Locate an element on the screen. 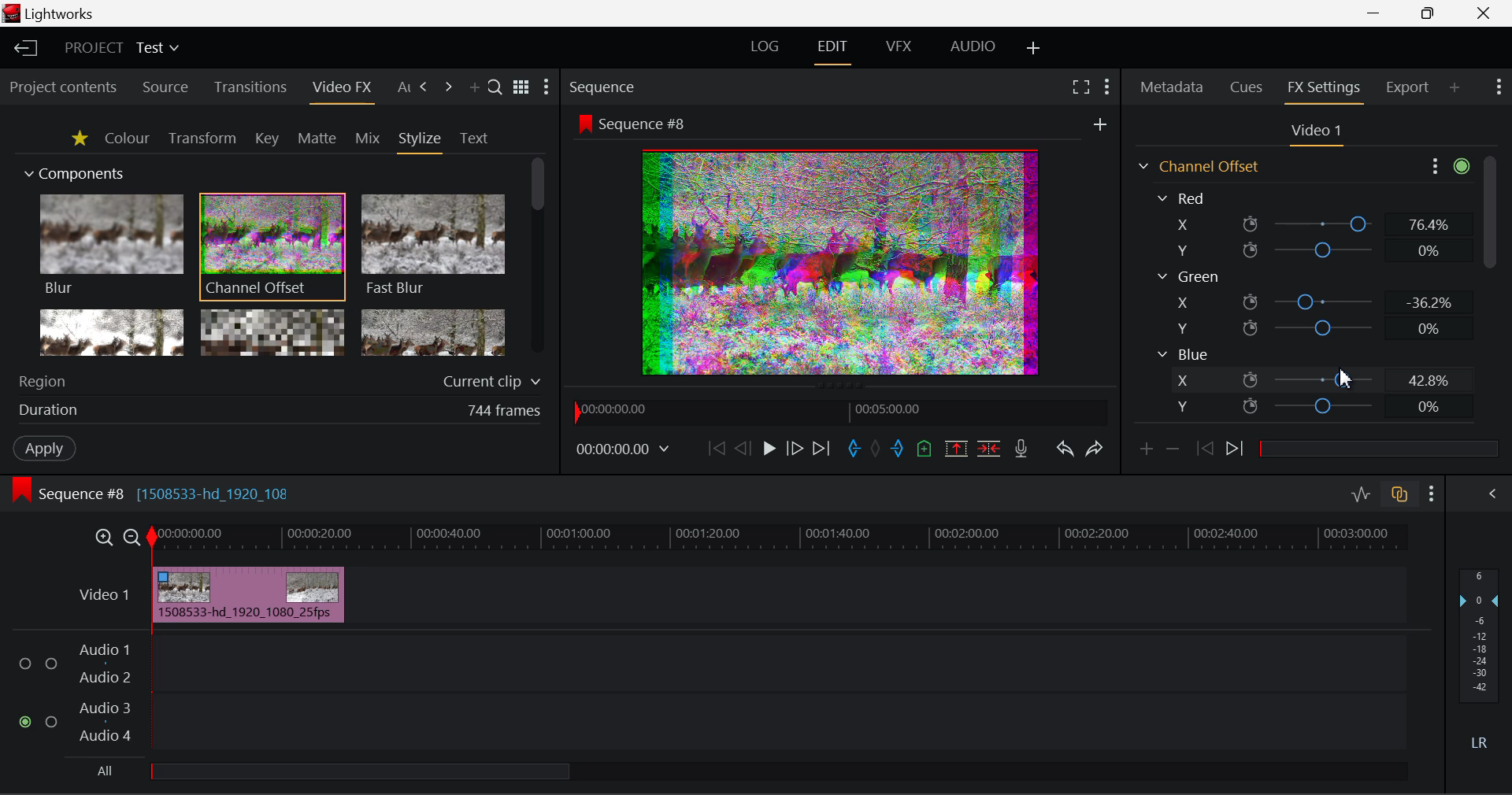  Export is located at coordinates (1408, 87).